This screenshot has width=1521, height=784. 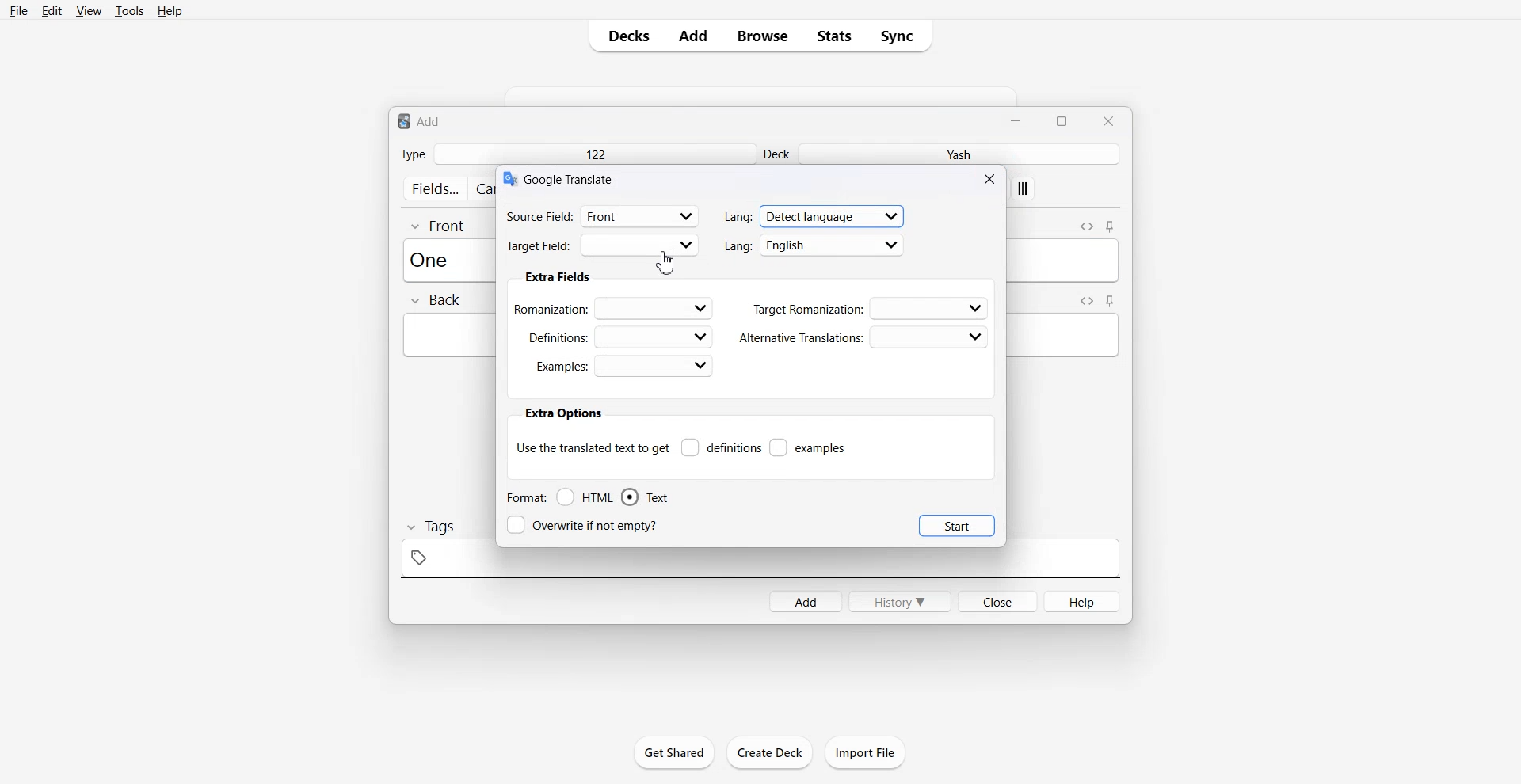 What do you see at coordinates (645, 497) in the screenshot?
I see `Text` at bounding box center [645, 497].